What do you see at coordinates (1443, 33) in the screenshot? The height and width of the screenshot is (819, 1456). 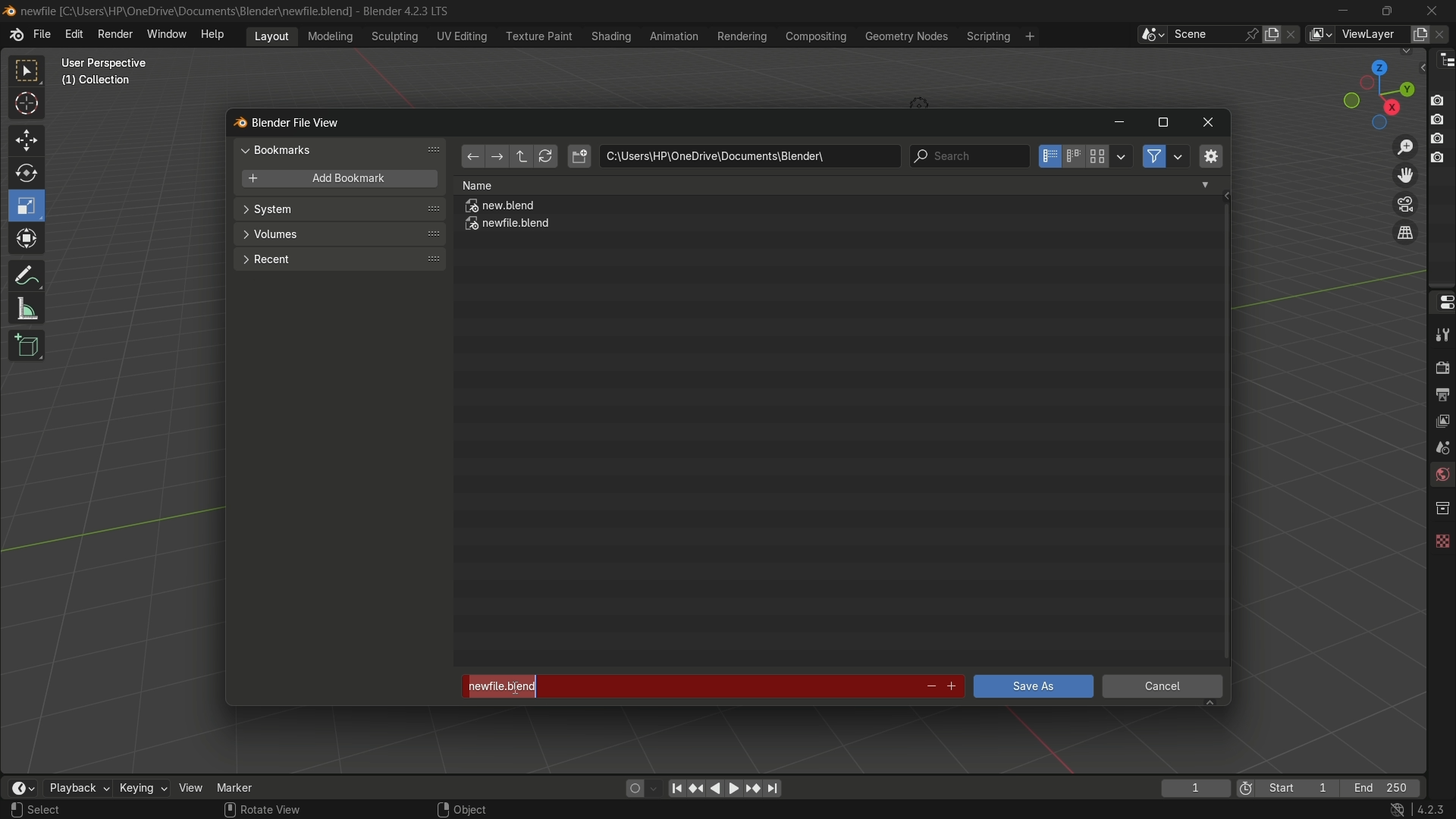 I see `remove view layer` at bounding box center [1443, 33].